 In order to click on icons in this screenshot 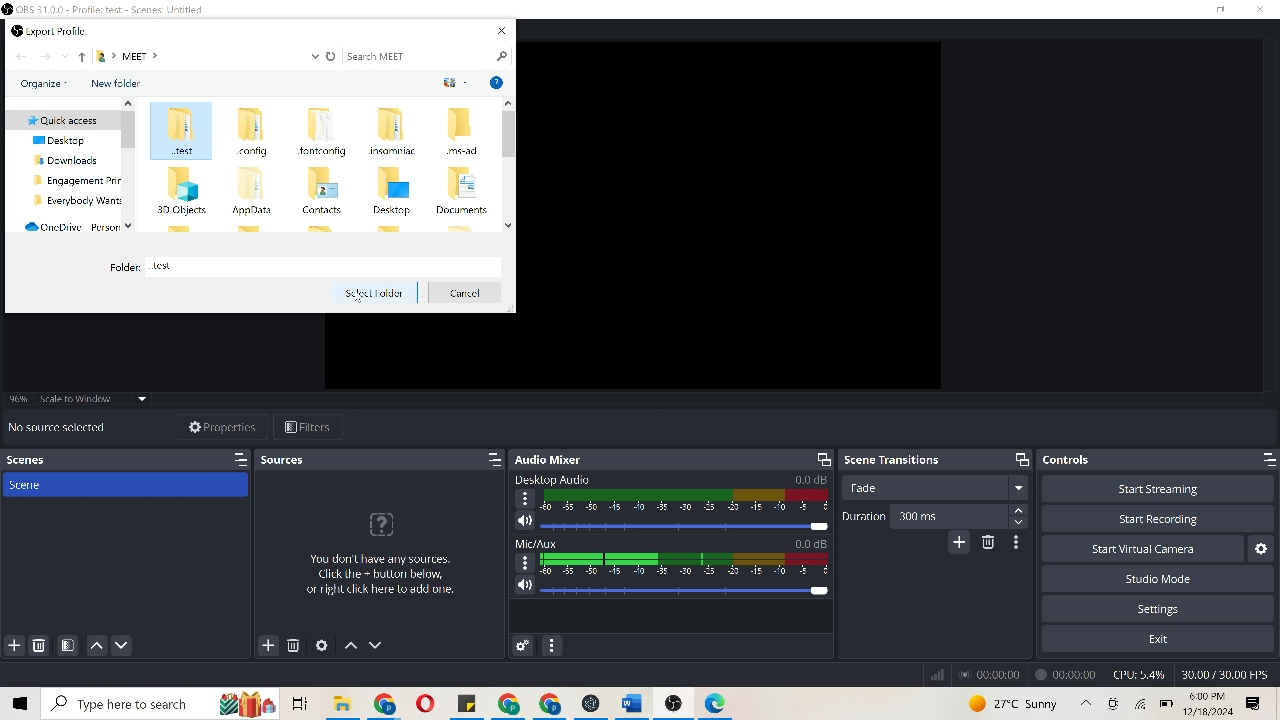, I will do `click(265, 701)`.